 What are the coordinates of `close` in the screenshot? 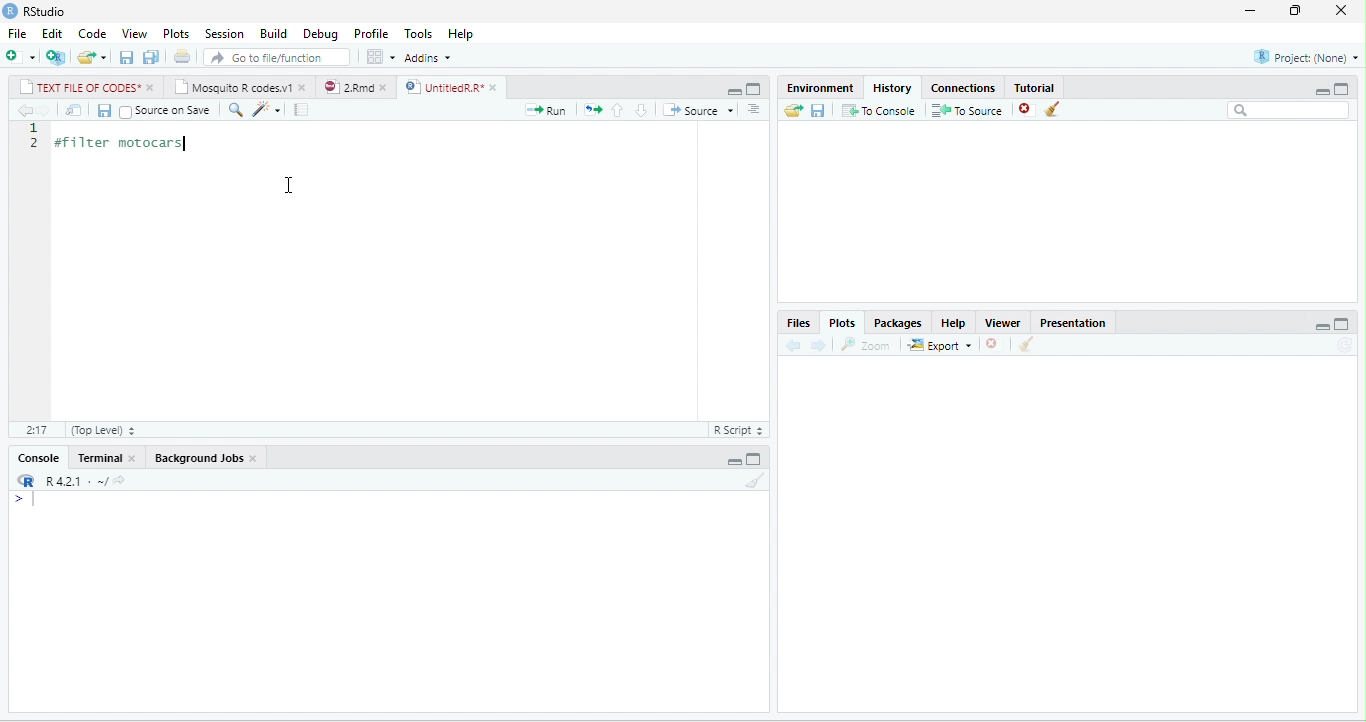 It's located at (496, 88).